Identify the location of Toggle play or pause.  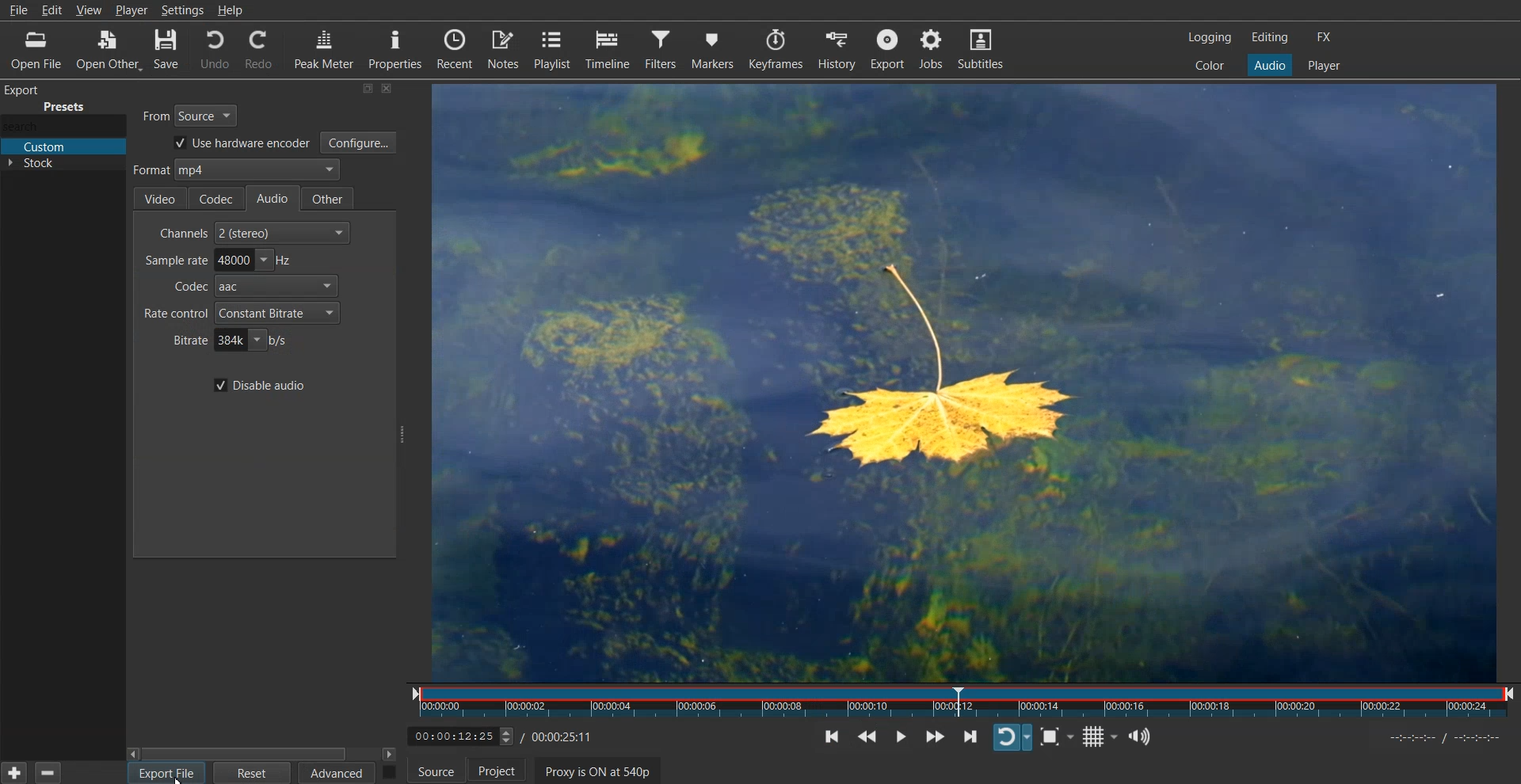
(905, 736).